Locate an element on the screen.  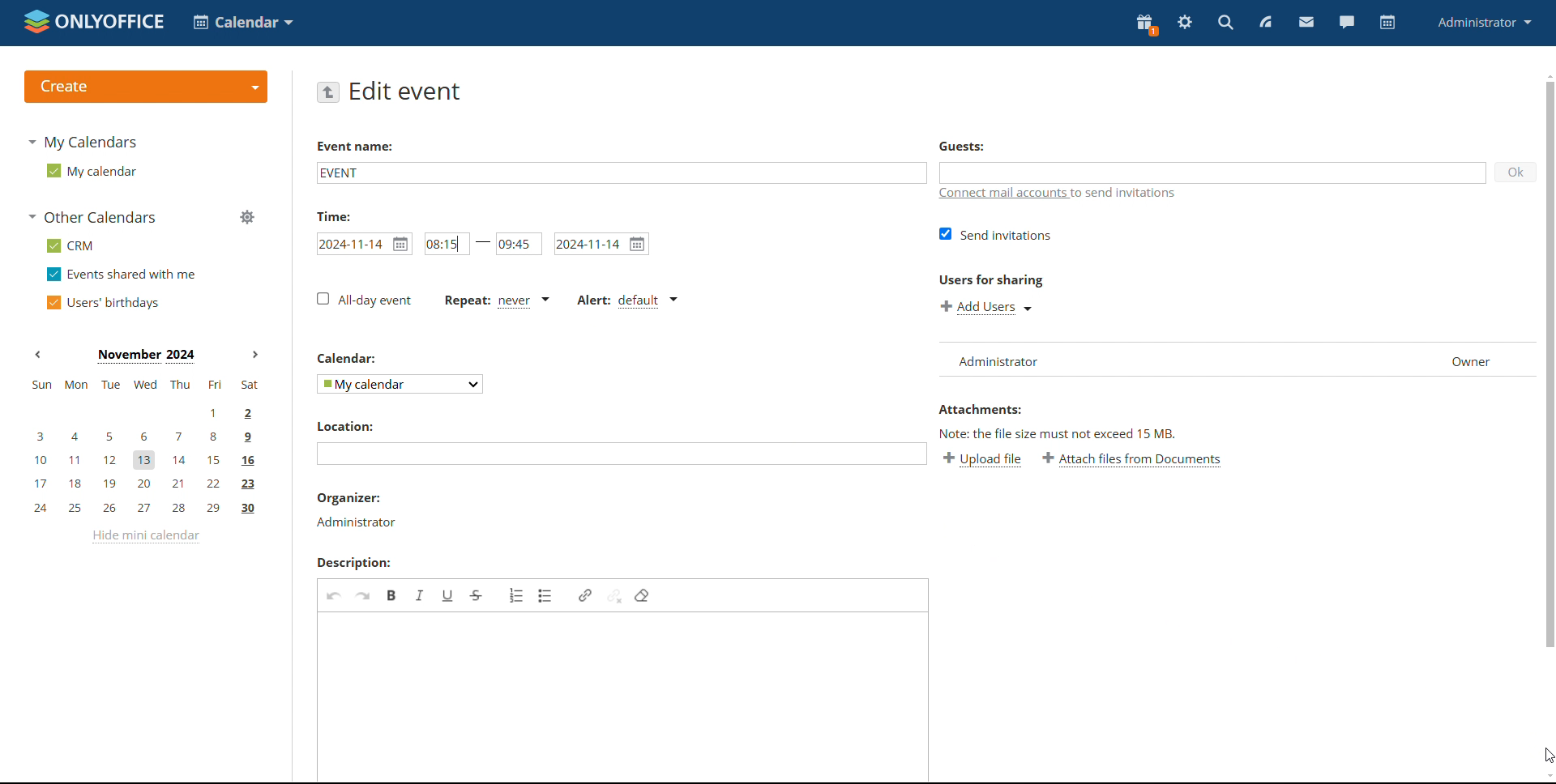
time is located at coordinates (333, 215).